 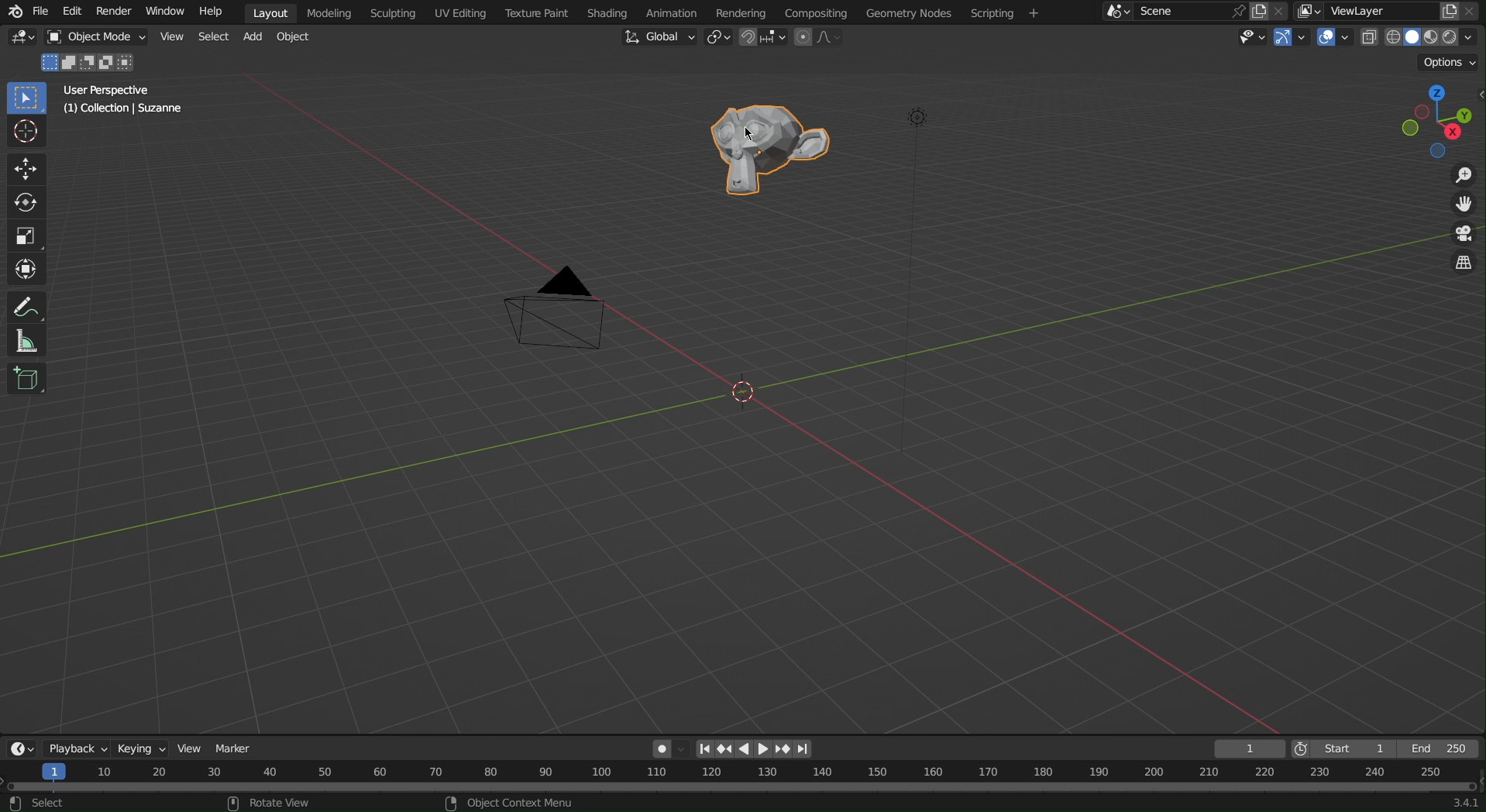 I want to click on User Perspective, so click(x=104, y=89).